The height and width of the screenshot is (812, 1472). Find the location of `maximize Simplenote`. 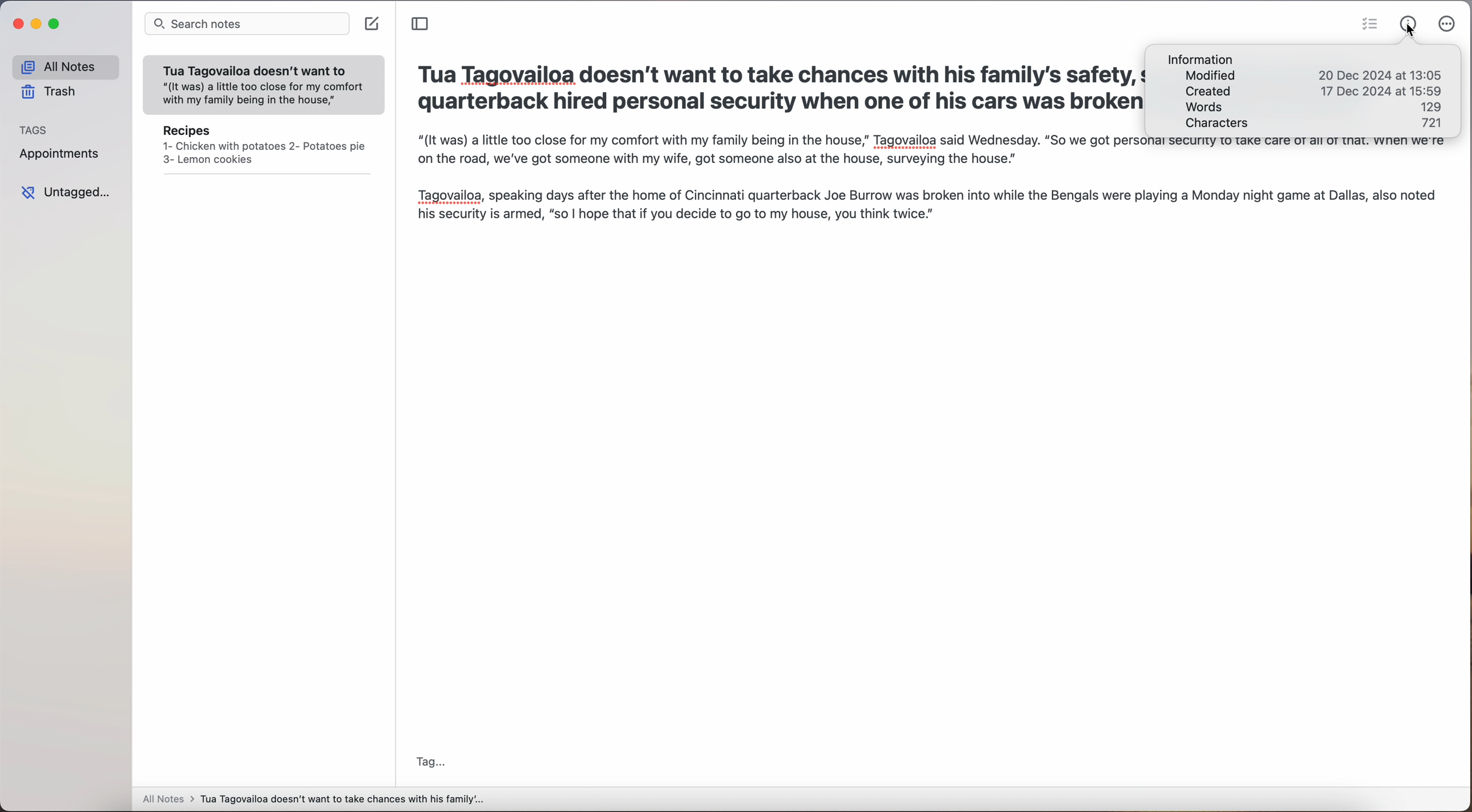

maximize Simplenote is located at coordinates (56, 24).